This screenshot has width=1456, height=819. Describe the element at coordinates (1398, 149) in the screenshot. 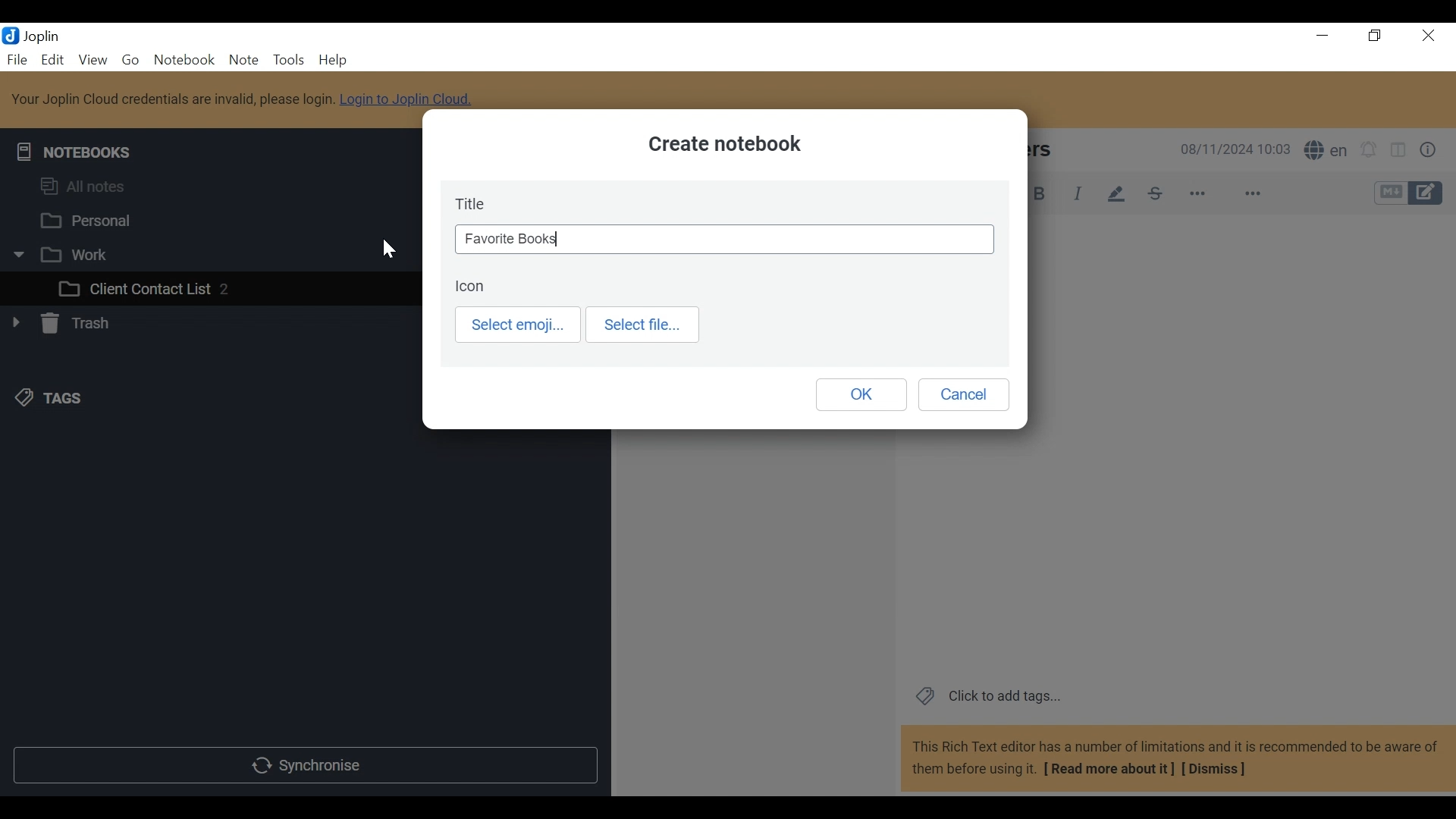

I see `Toggle editor layout` at that location.